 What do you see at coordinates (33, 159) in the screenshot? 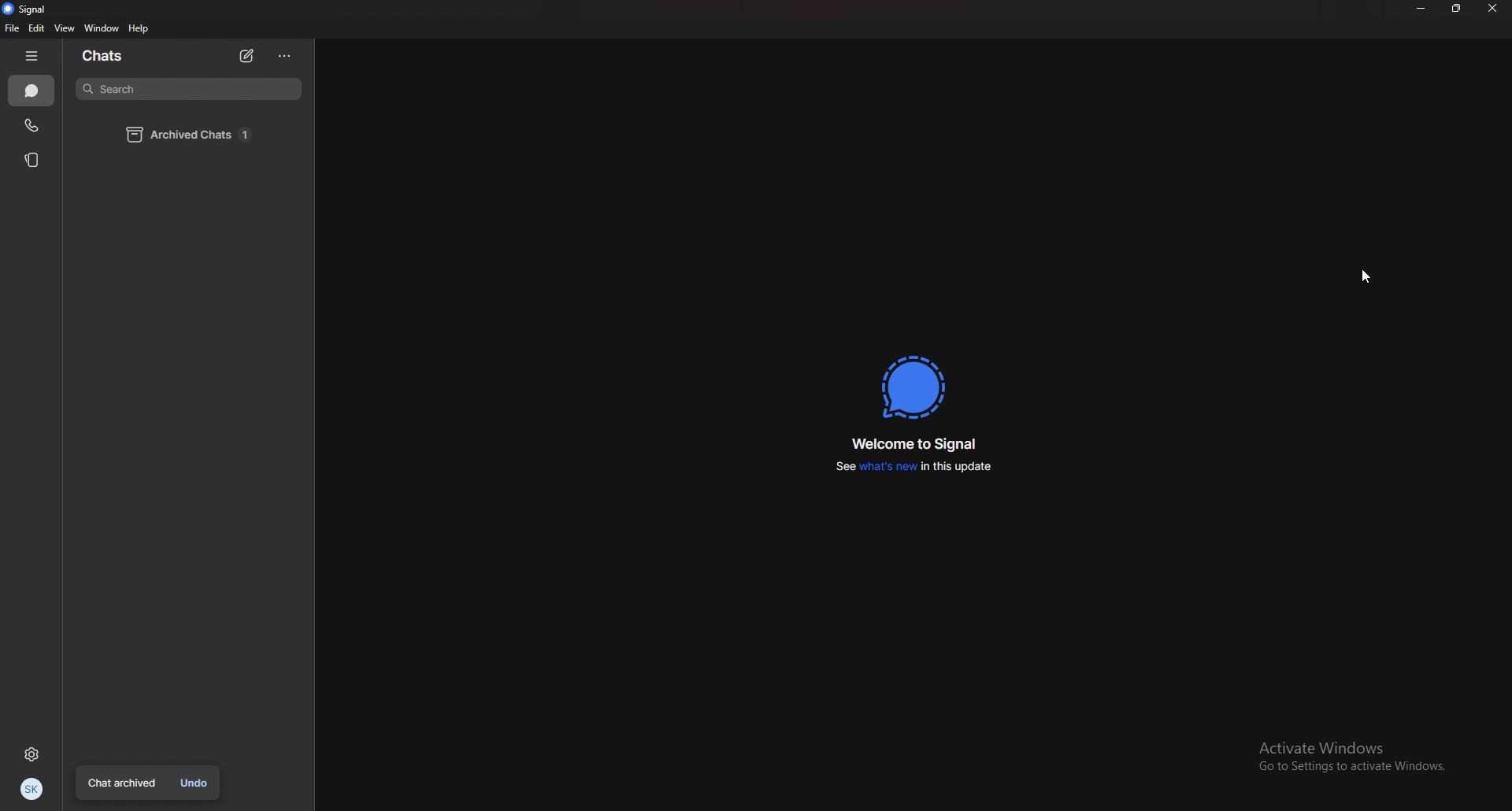
I see `Stories` at bounding box center [33, 159].